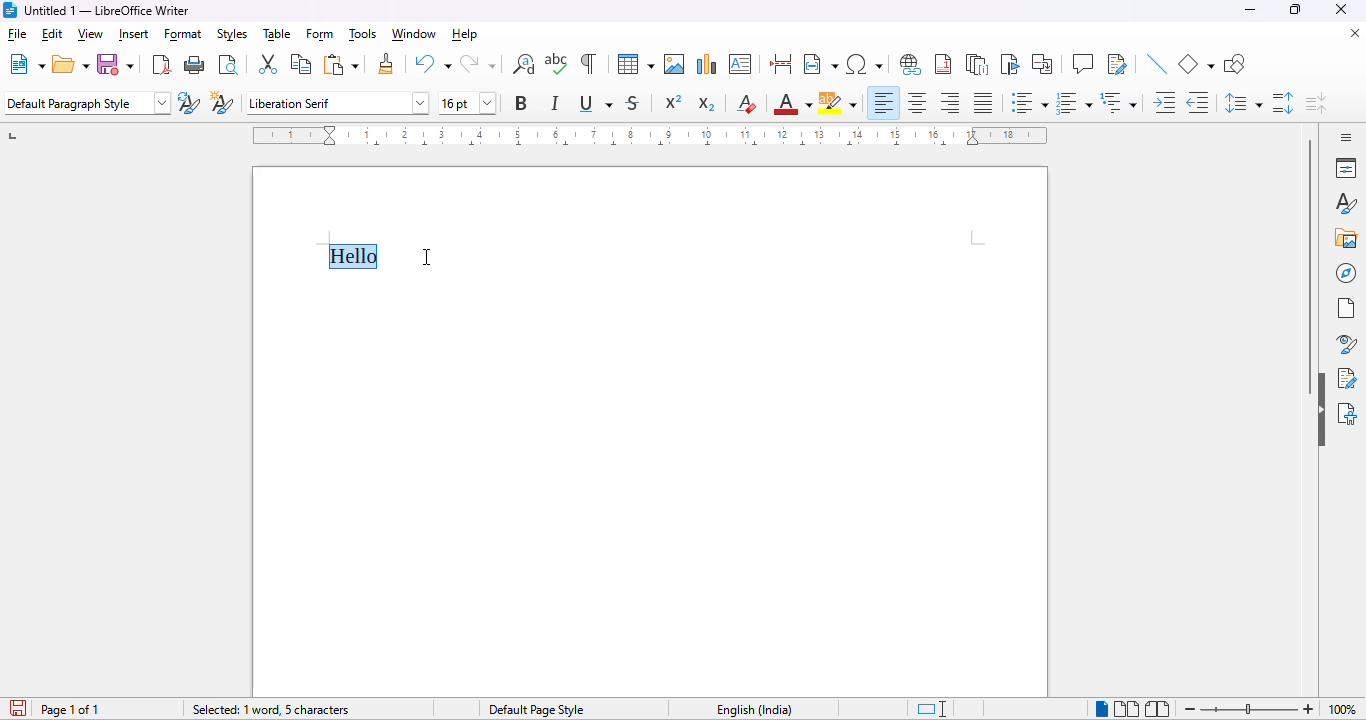 This screenshot has height=720, width=1366. Describe the element at coordinates (1345, 238) in the screenshot. I see `gallery` at that location.